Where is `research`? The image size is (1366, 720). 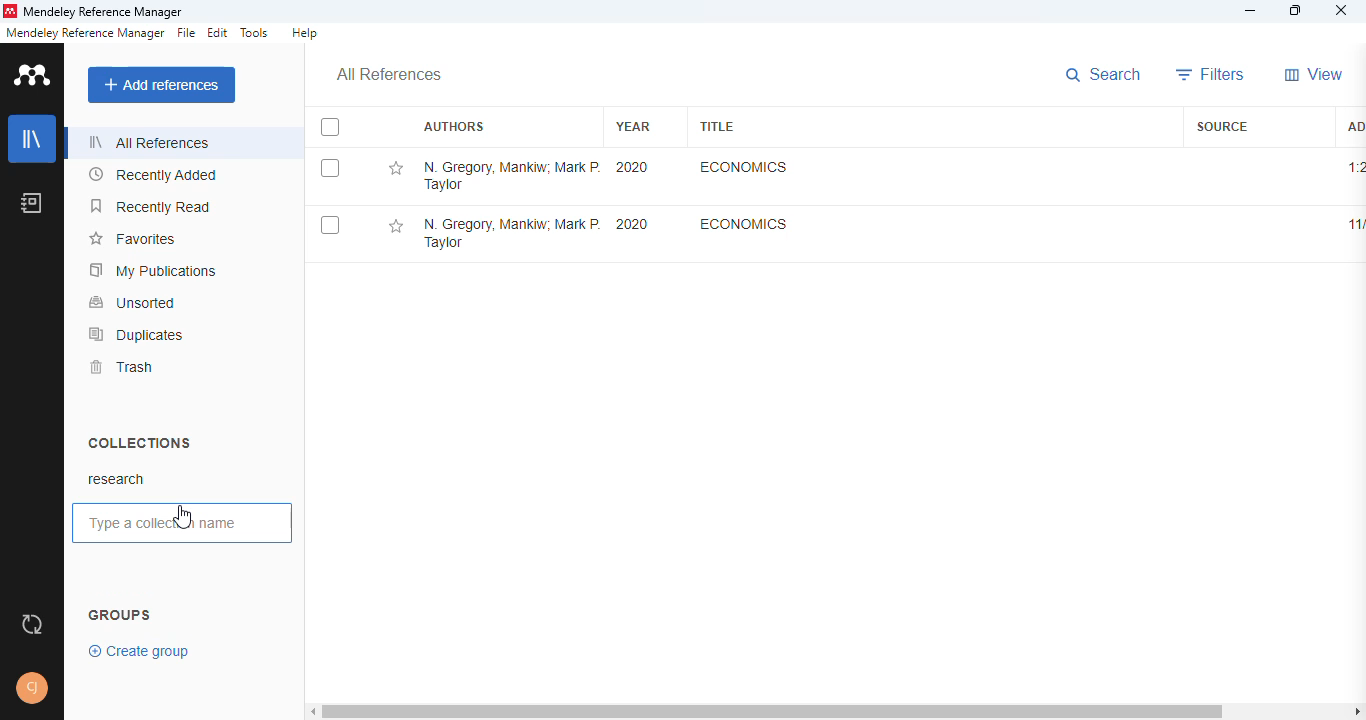 research is located at coordinates (117, 479).